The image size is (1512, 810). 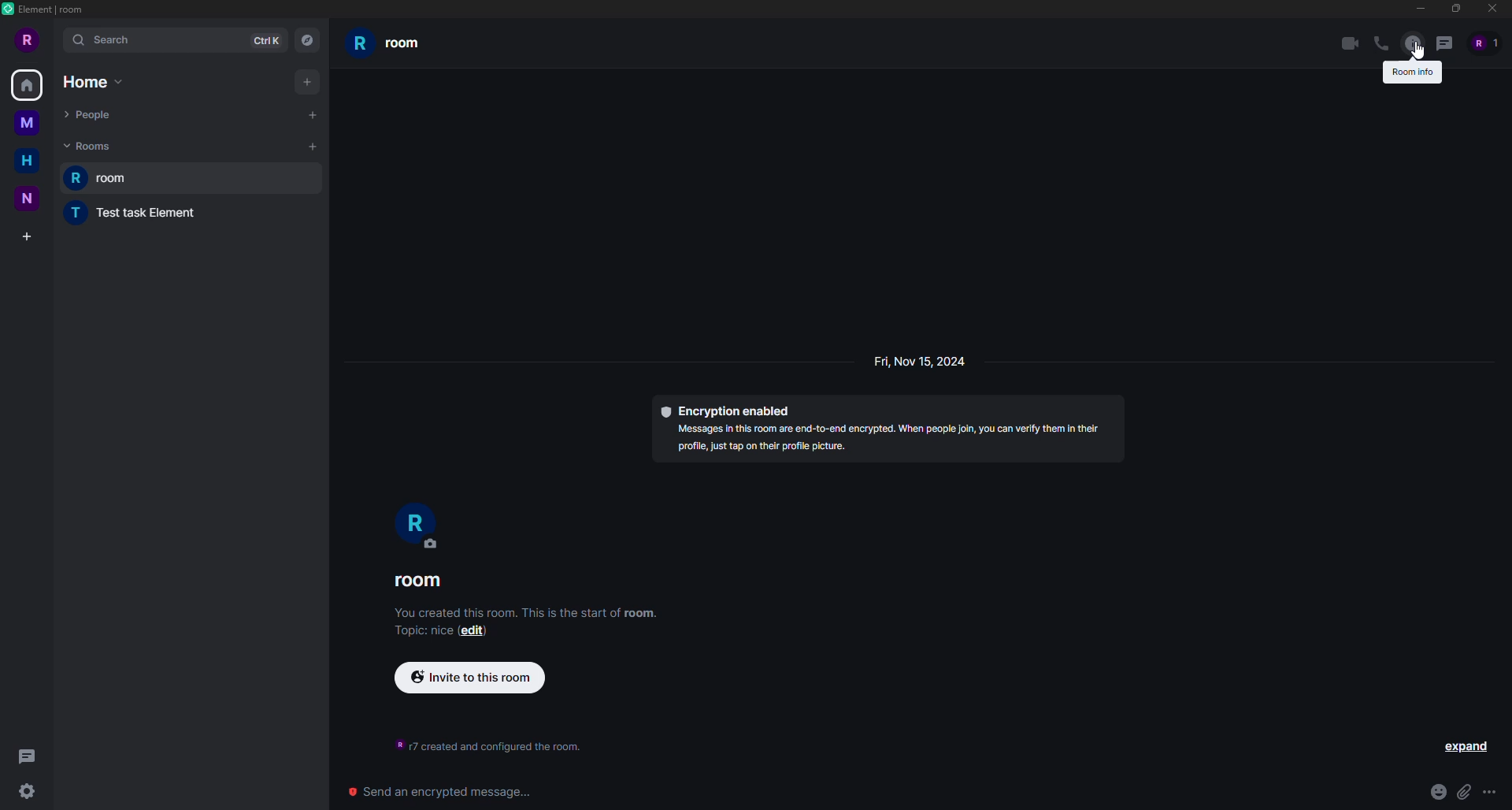 I want to click on maximize, so click(x=1457, y=9).